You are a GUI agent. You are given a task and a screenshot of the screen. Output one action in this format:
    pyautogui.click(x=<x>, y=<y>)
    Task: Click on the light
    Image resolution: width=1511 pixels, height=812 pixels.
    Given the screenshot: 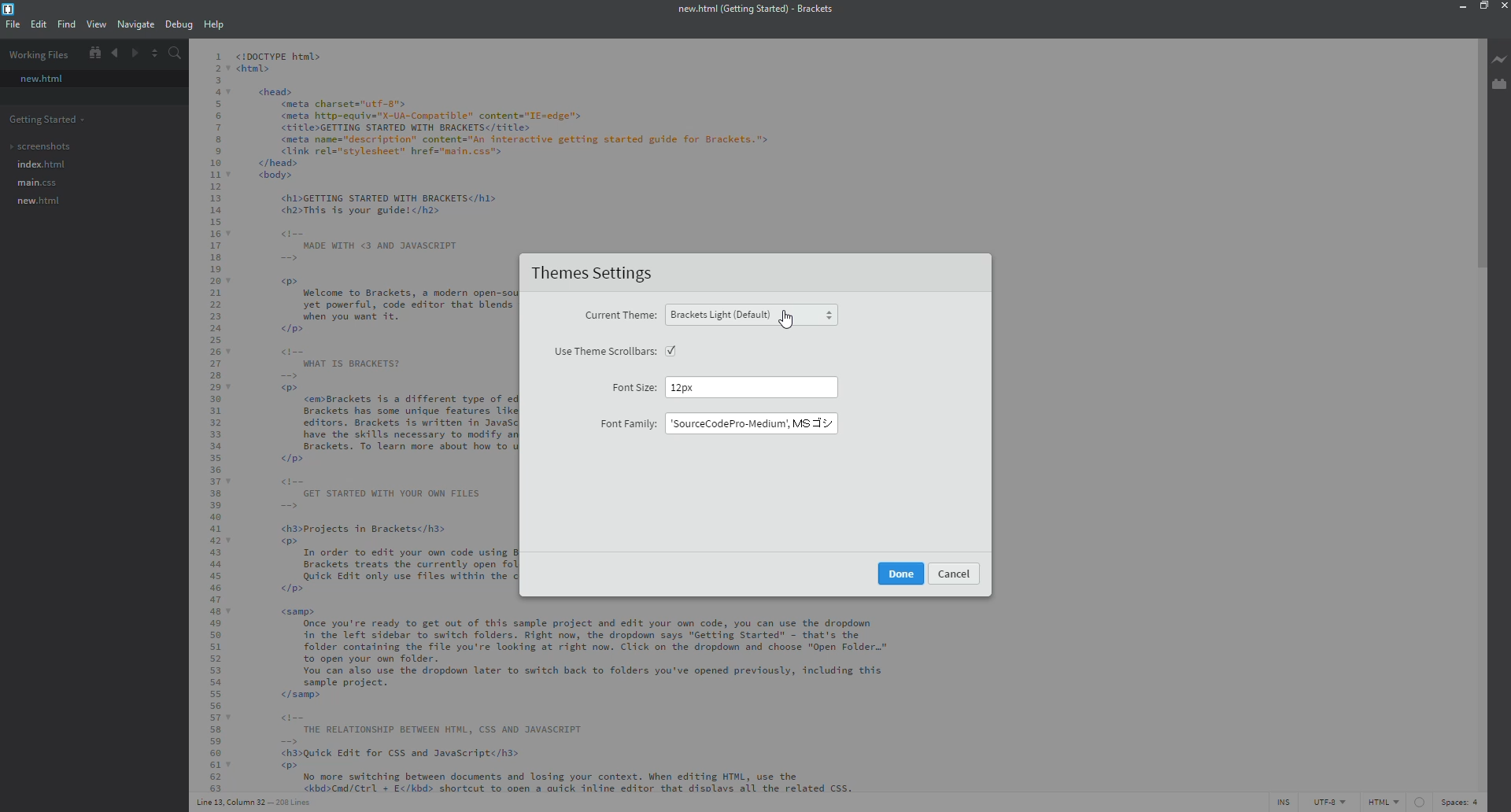 What is the action you would take?
    pyautogui.click(x=752, y=315)
    